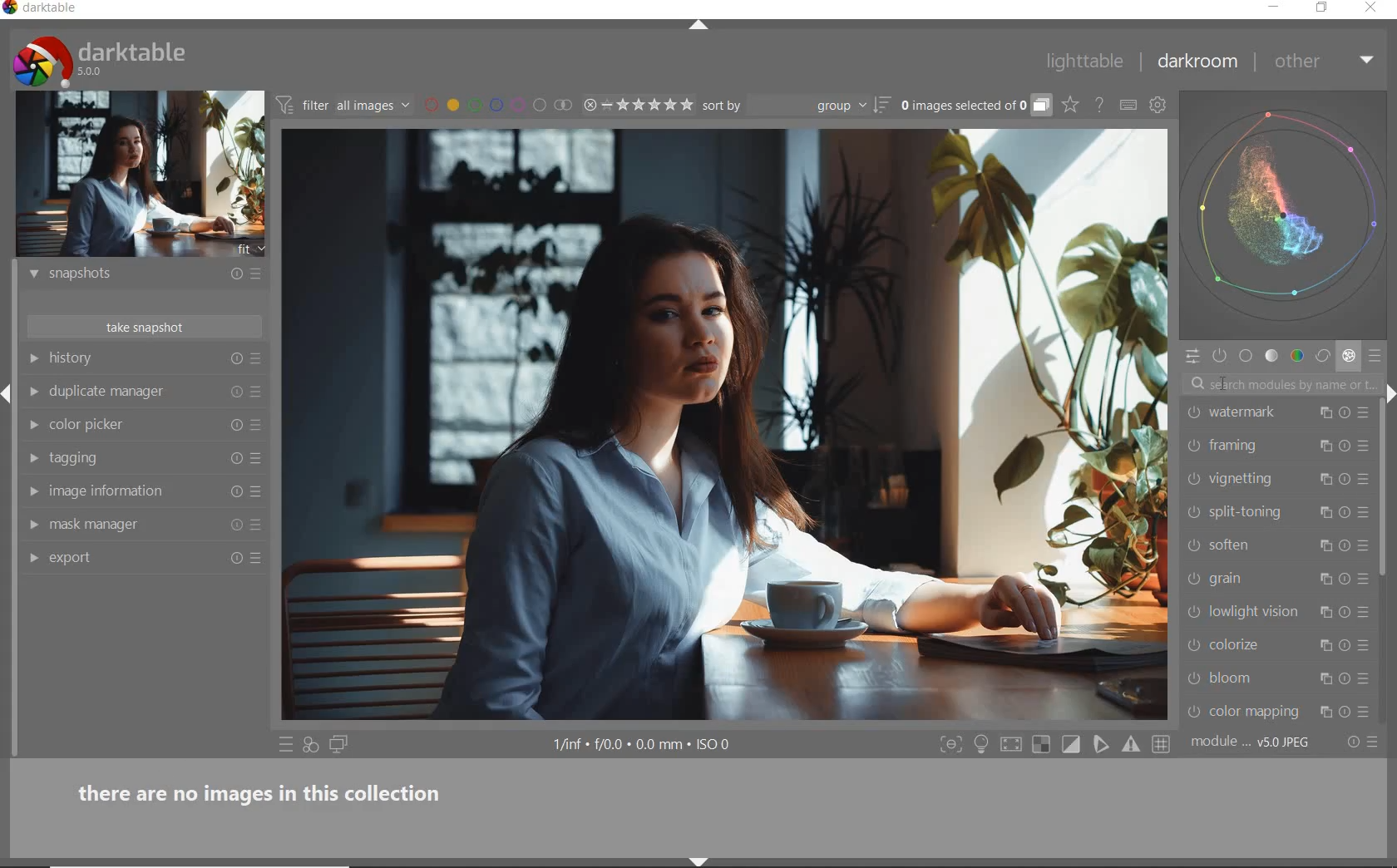 Image resolution: width=1397 pixels, height=868 pixels. What do you see at coordinates (1385, 492) in the screenshot?
I see `scrollbar` at bounding box center [1385, 492].